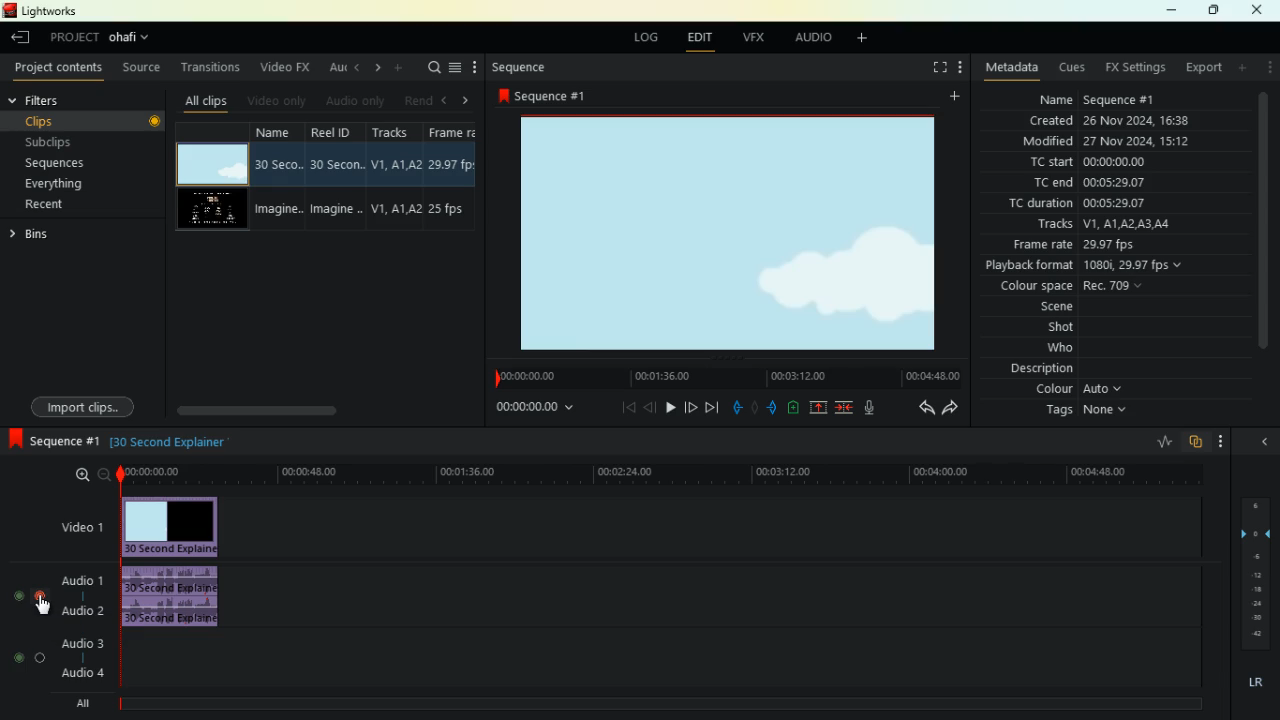 This screenshot has width=1280, height=720. I want to click on beggining, so click(628, 408).